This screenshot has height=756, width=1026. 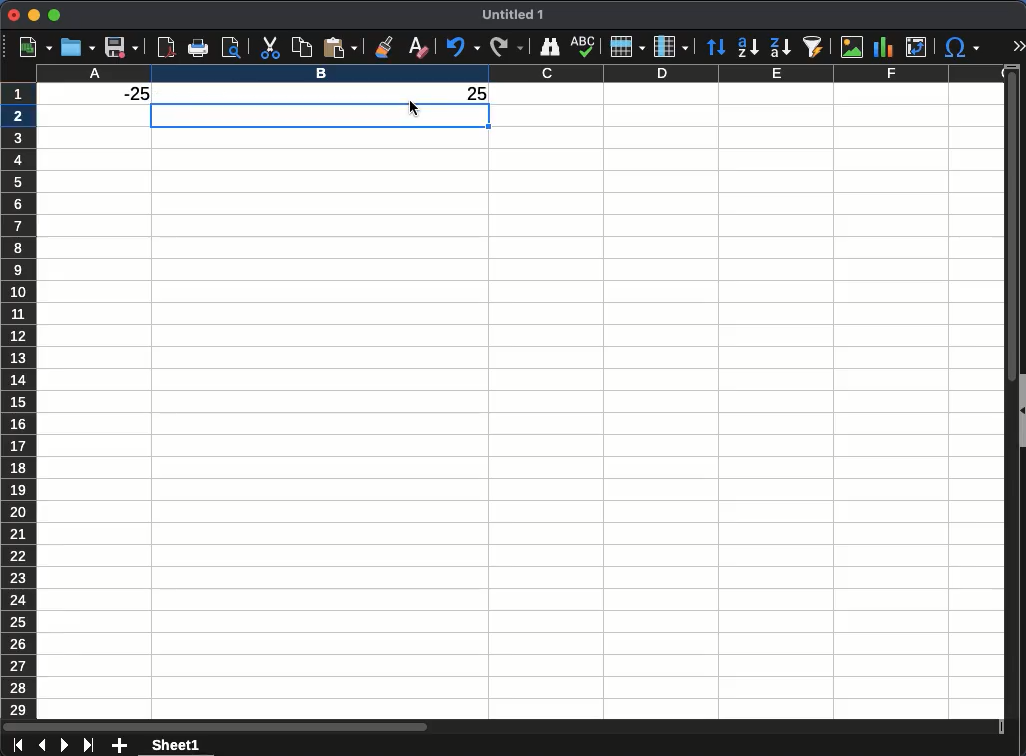 What do you see at coordinates (519, 73) in the screenshot?
I see `column` at bounding box center [519, 73].